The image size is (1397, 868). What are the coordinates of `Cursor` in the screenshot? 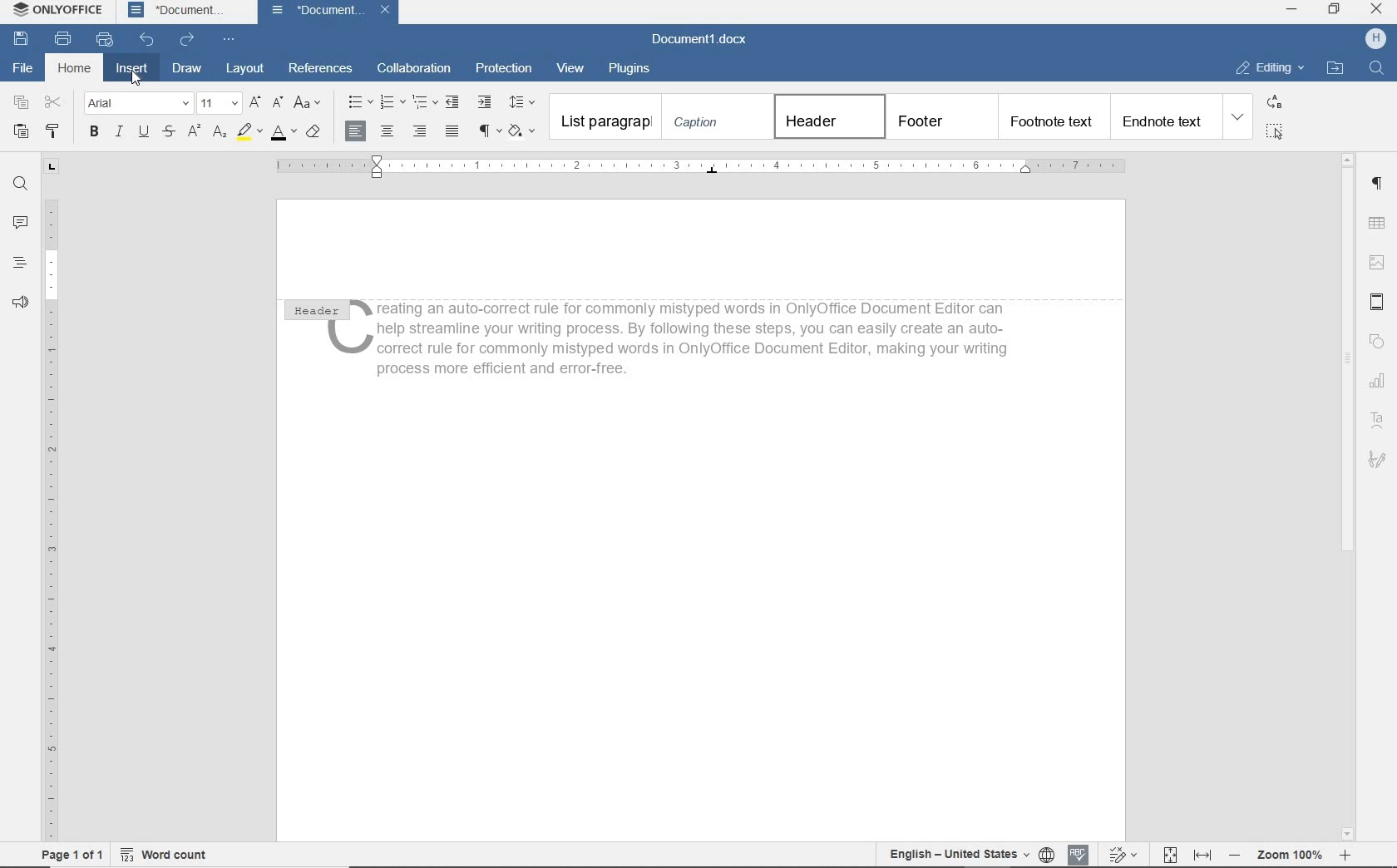 It's located at (135, 79).